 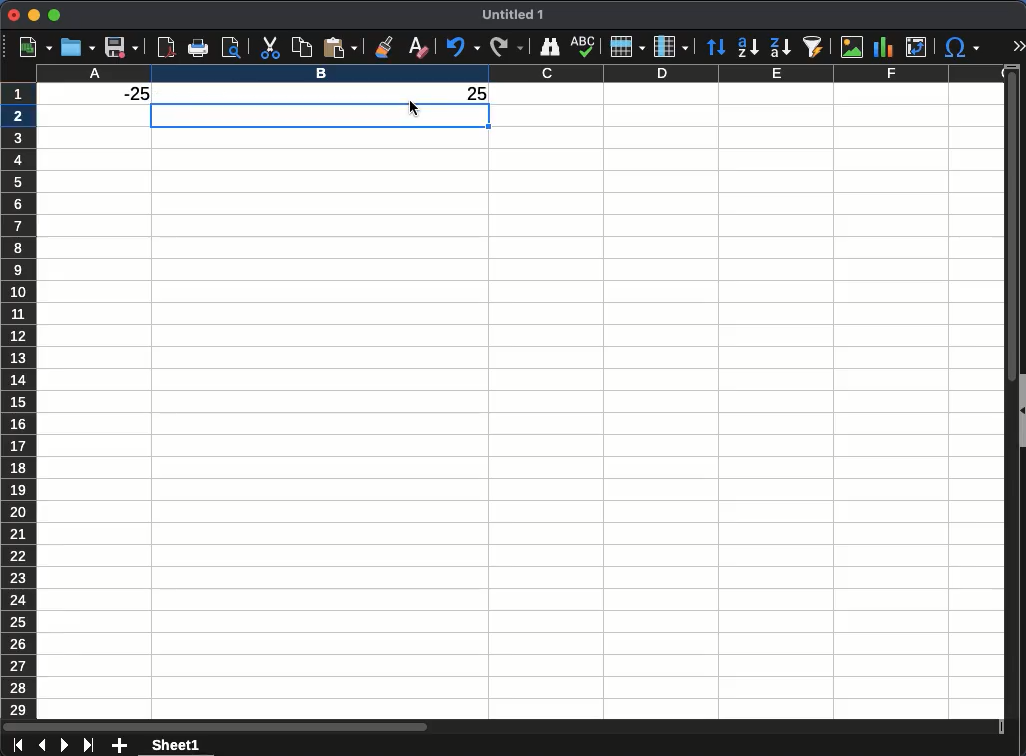 I want to click on expand, so click(x=1018, y=45).